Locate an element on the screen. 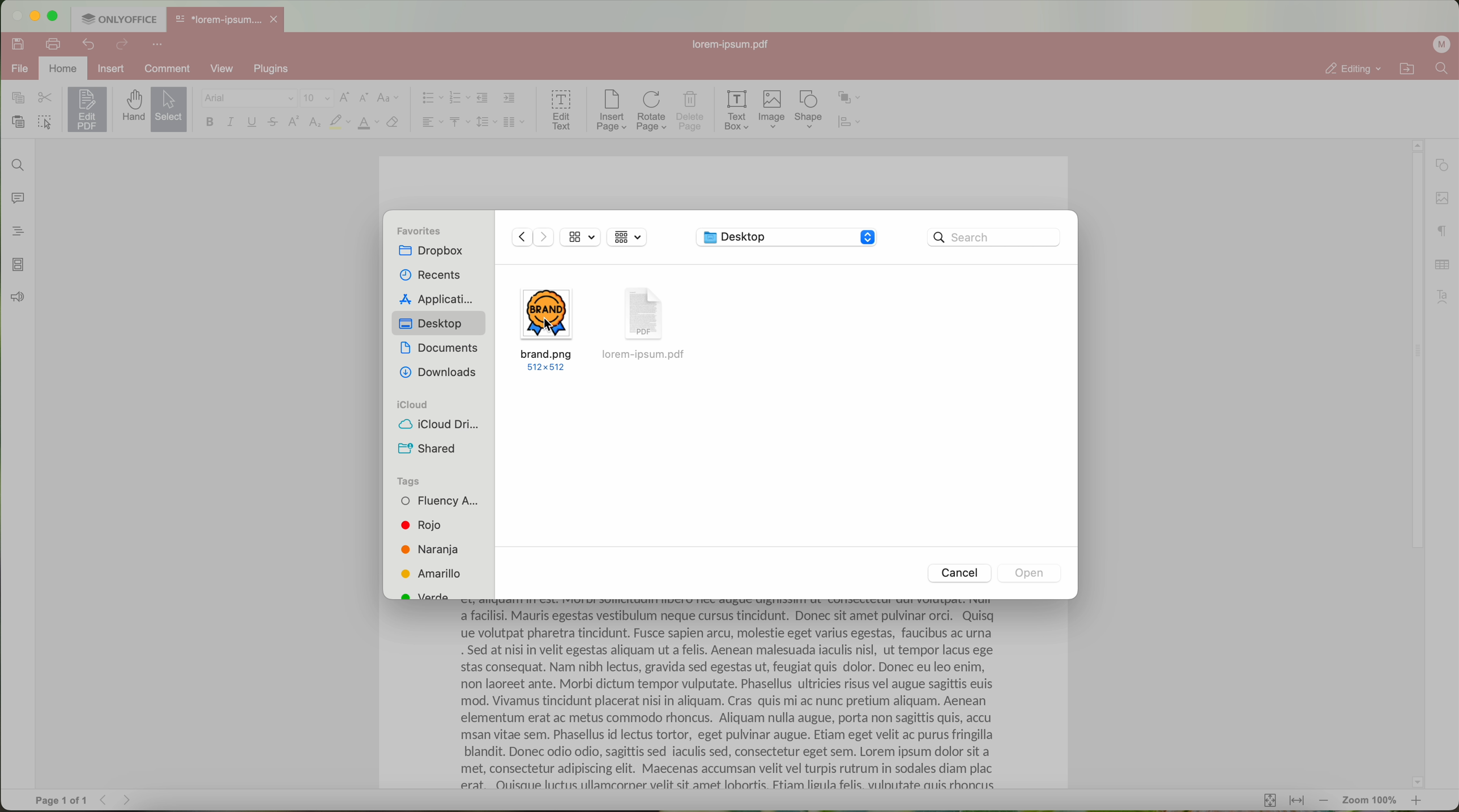 The height and width of the screenshot is (812, 1459). Arial is located at coordinates (248, 99).